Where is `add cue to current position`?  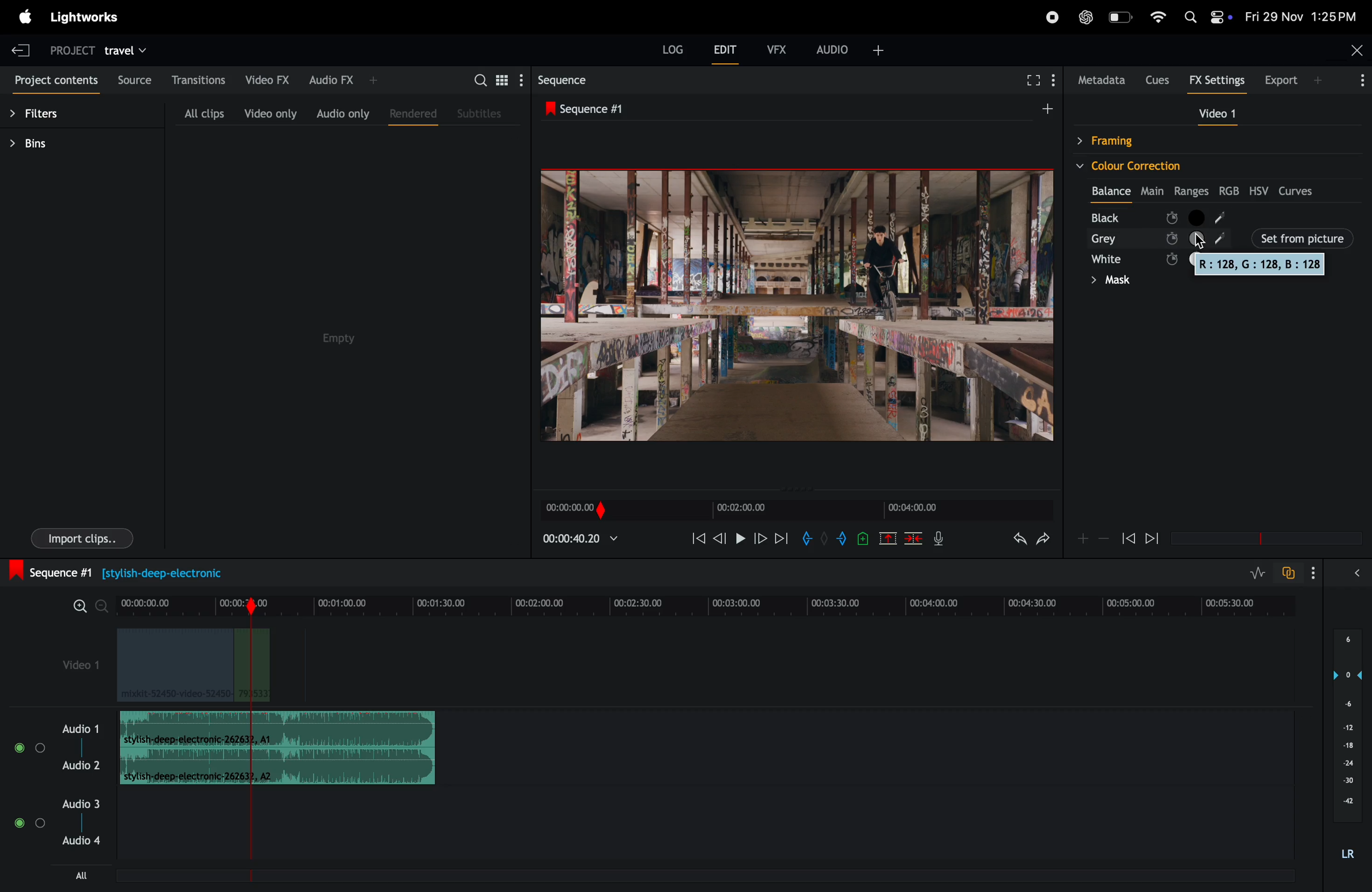 add cue to current position is located at coordinates (862, 540).